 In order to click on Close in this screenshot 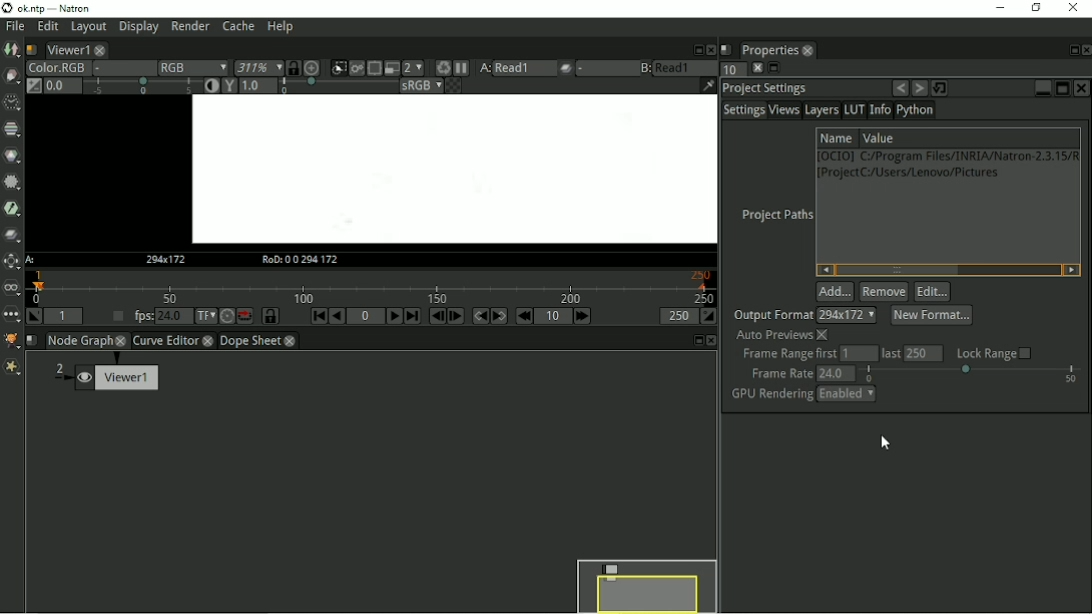, I will do `click(710, 341)`.